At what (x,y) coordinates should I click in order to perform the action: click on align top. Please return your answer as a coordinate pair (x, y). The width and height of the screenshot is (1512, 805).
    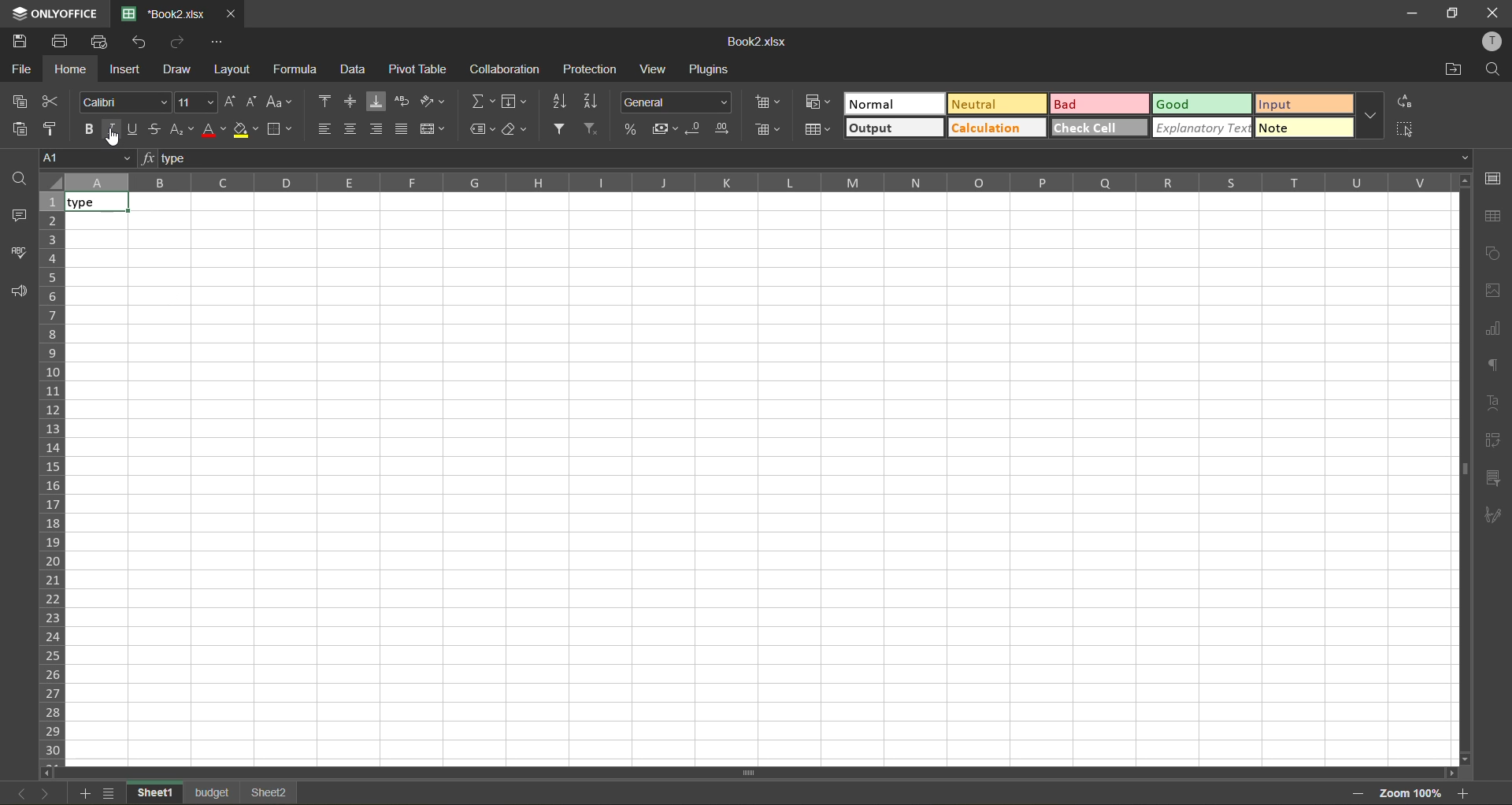
    Looking at the image, I should click on (326, 101).